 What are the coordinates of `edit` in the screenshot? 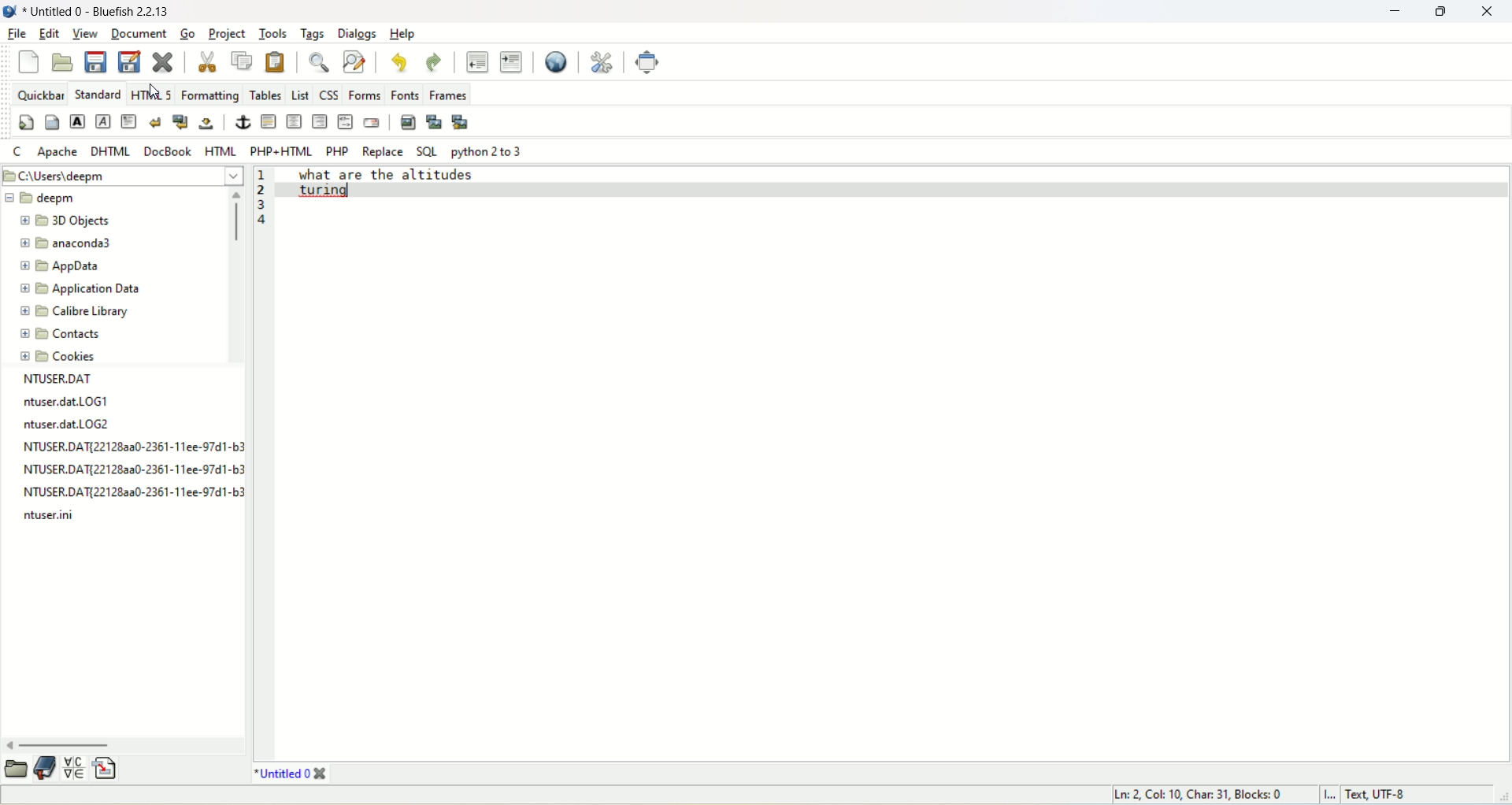 It's located at (48, 35).